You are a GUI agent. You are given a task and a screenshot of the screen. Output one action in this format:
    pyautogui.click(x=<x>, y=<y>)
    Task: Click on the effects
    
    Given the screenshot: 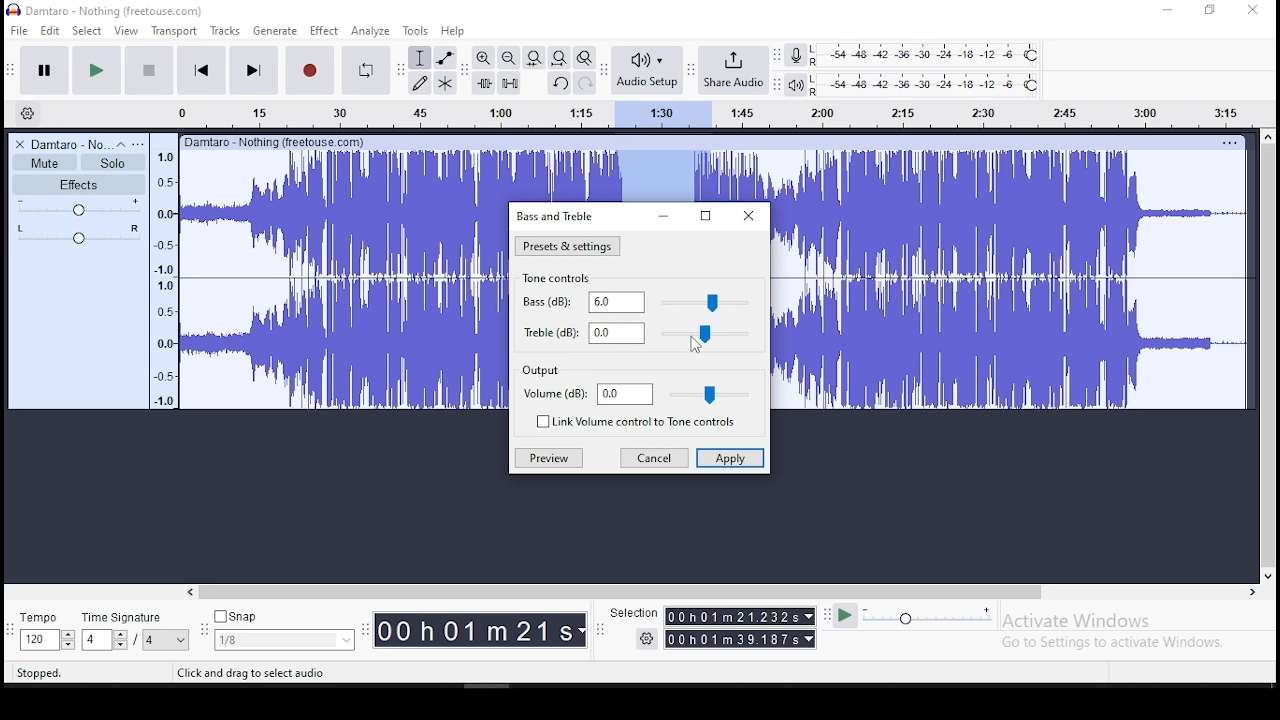 What is the action you would take?
    pyautogui.click(x=79, y=184)
    